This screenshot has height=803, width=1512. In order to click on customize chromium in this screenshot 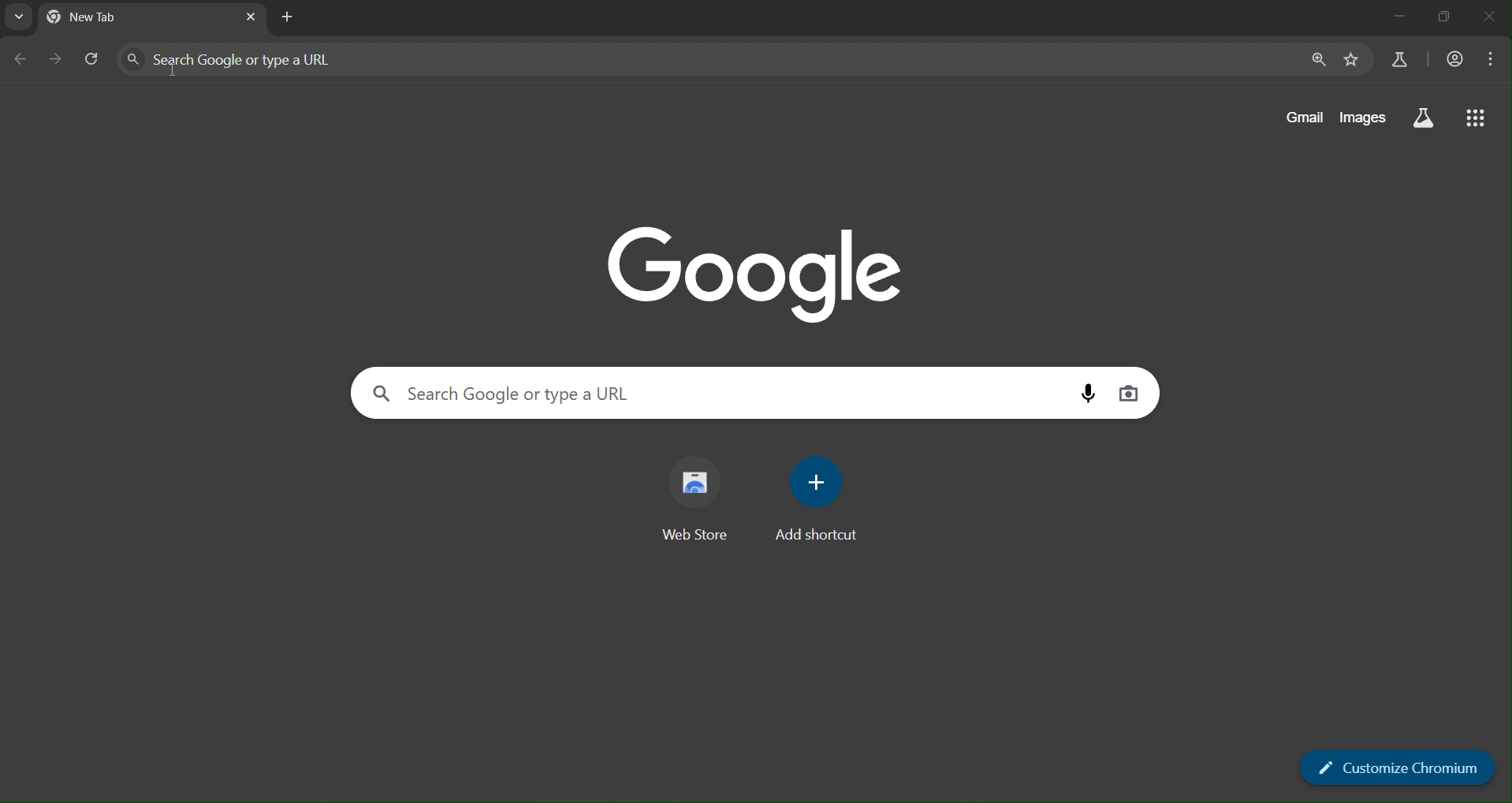, I will do `click(1396, 766)`.